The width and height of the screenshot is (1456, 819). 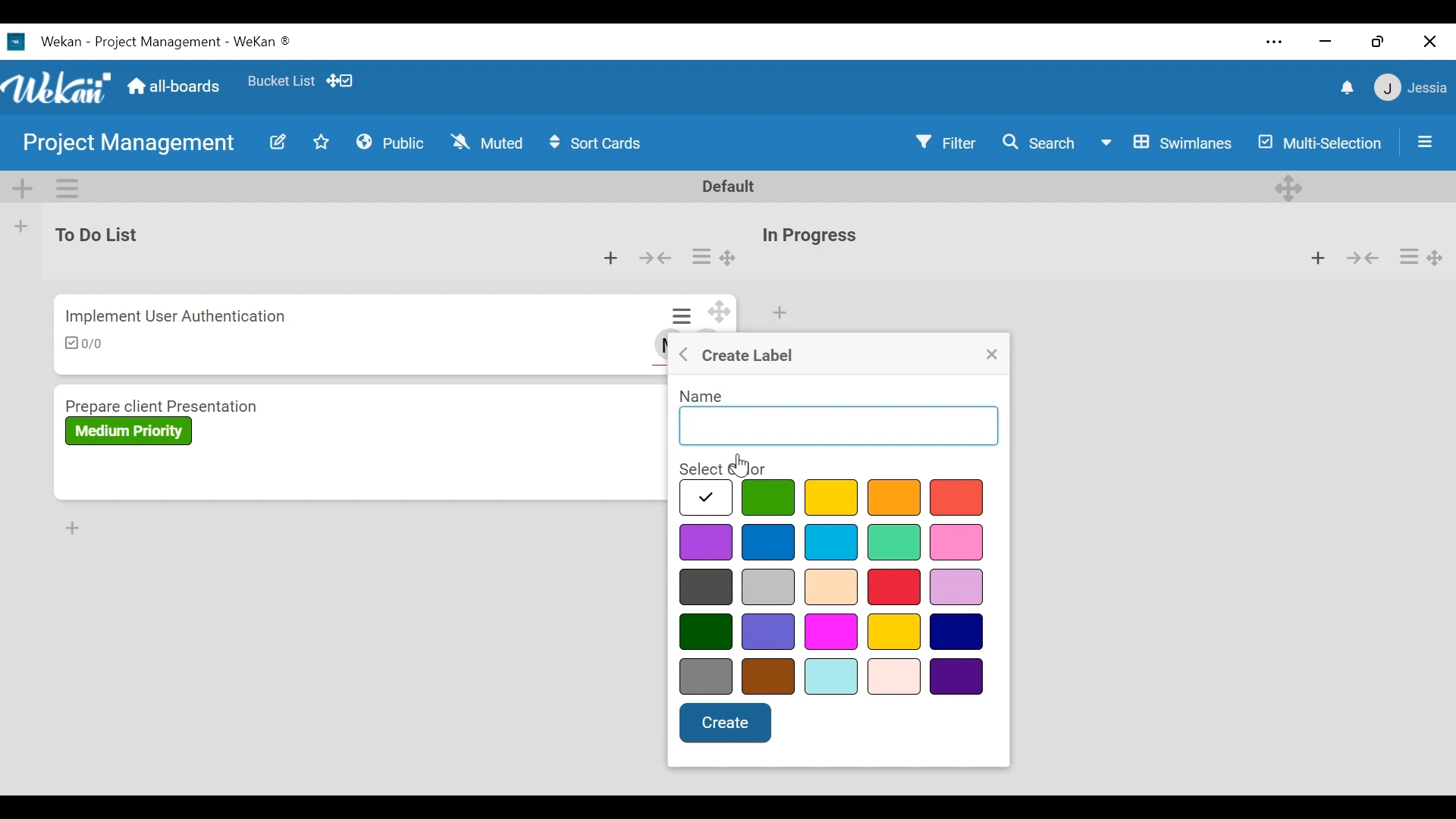 I want to click on Card actions, so click(x=1407, y=256).